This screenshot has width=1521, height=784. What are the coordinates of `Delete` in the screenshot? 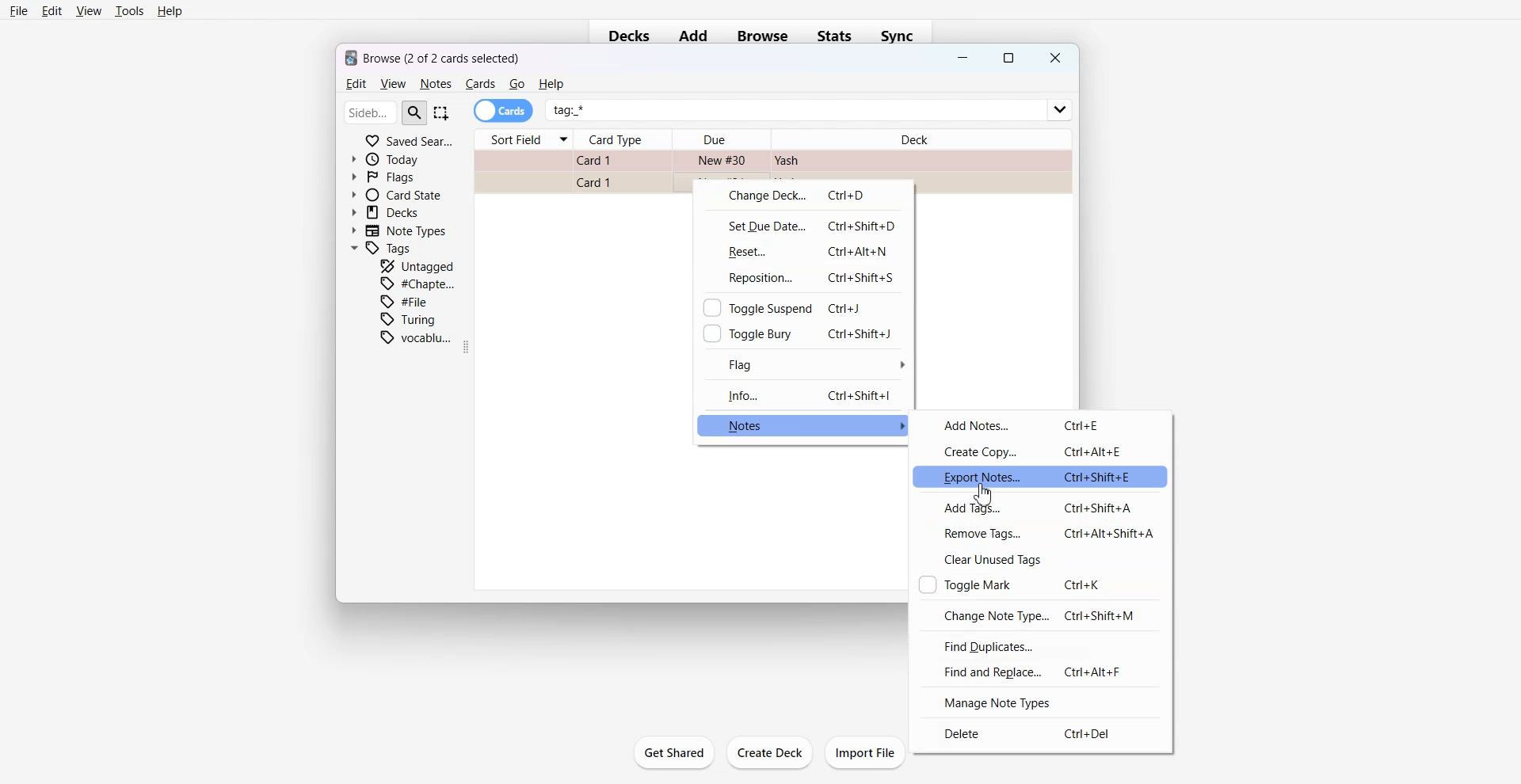 It's located at (1037, 734).